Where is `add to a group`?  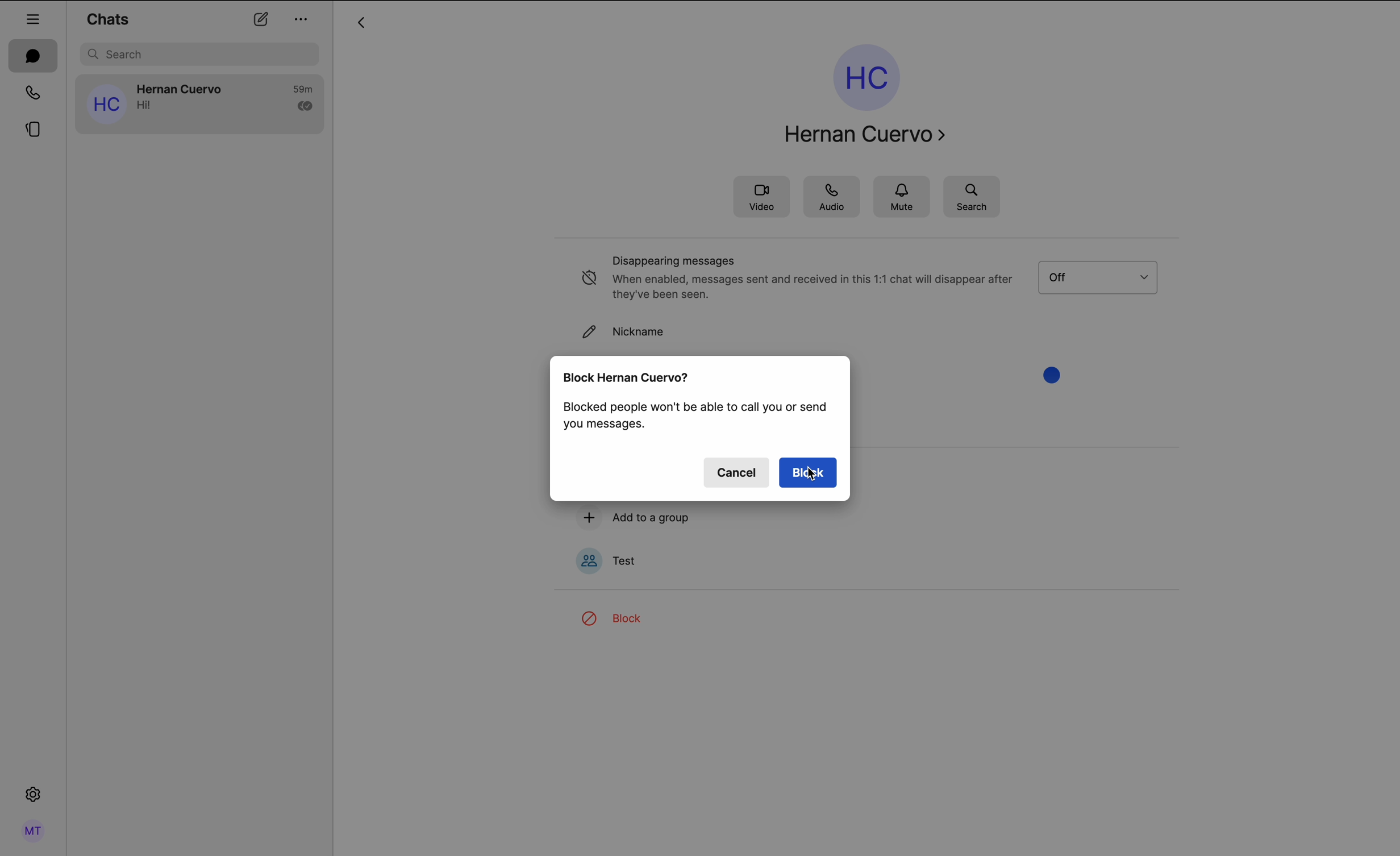 add to a group is located at coordinates (632, 518).